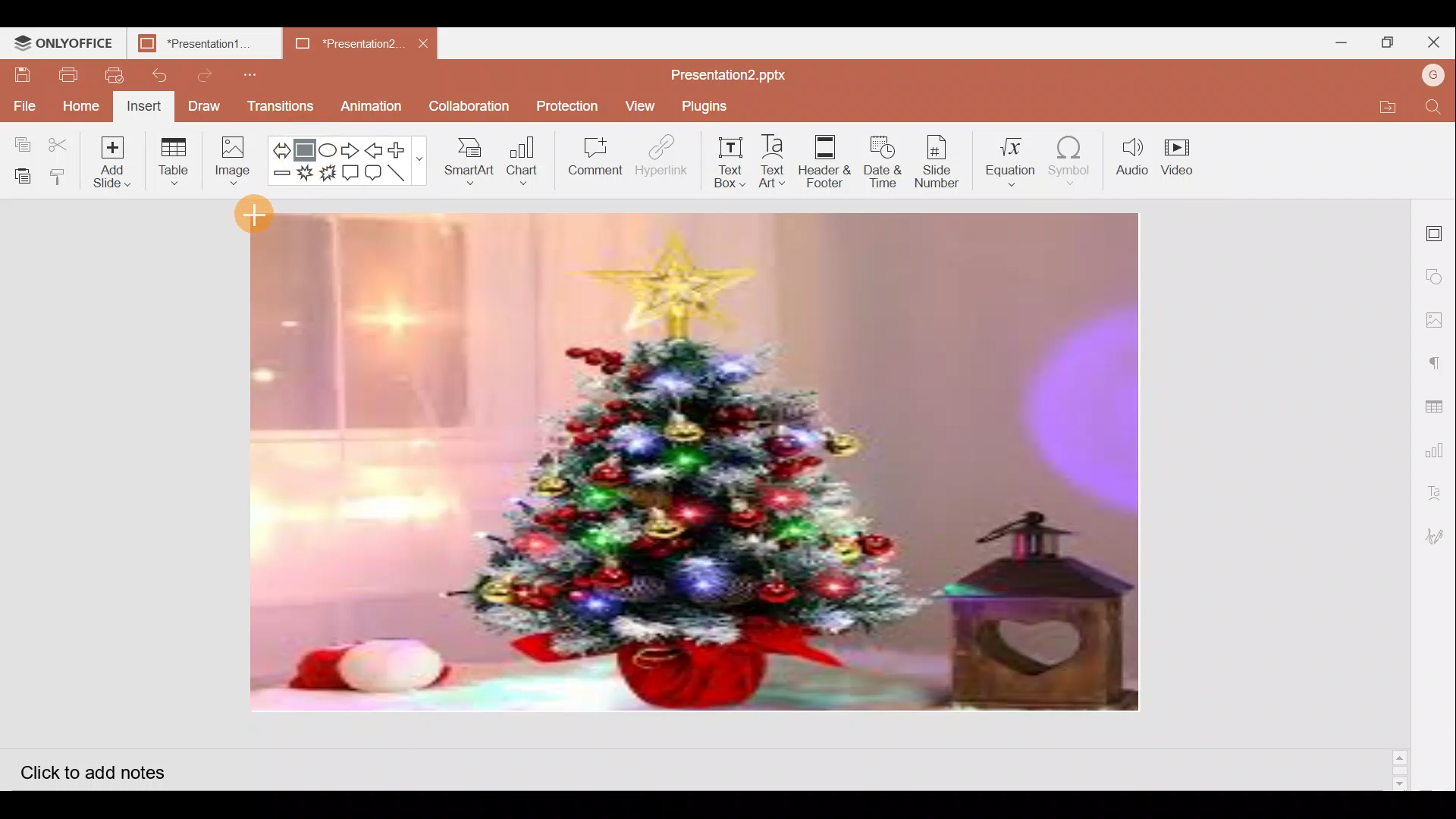 The image size is (1456, 819). Describe the element at coordinates (1439, 444) in the screenshot. I see `Chart settings` at that location.